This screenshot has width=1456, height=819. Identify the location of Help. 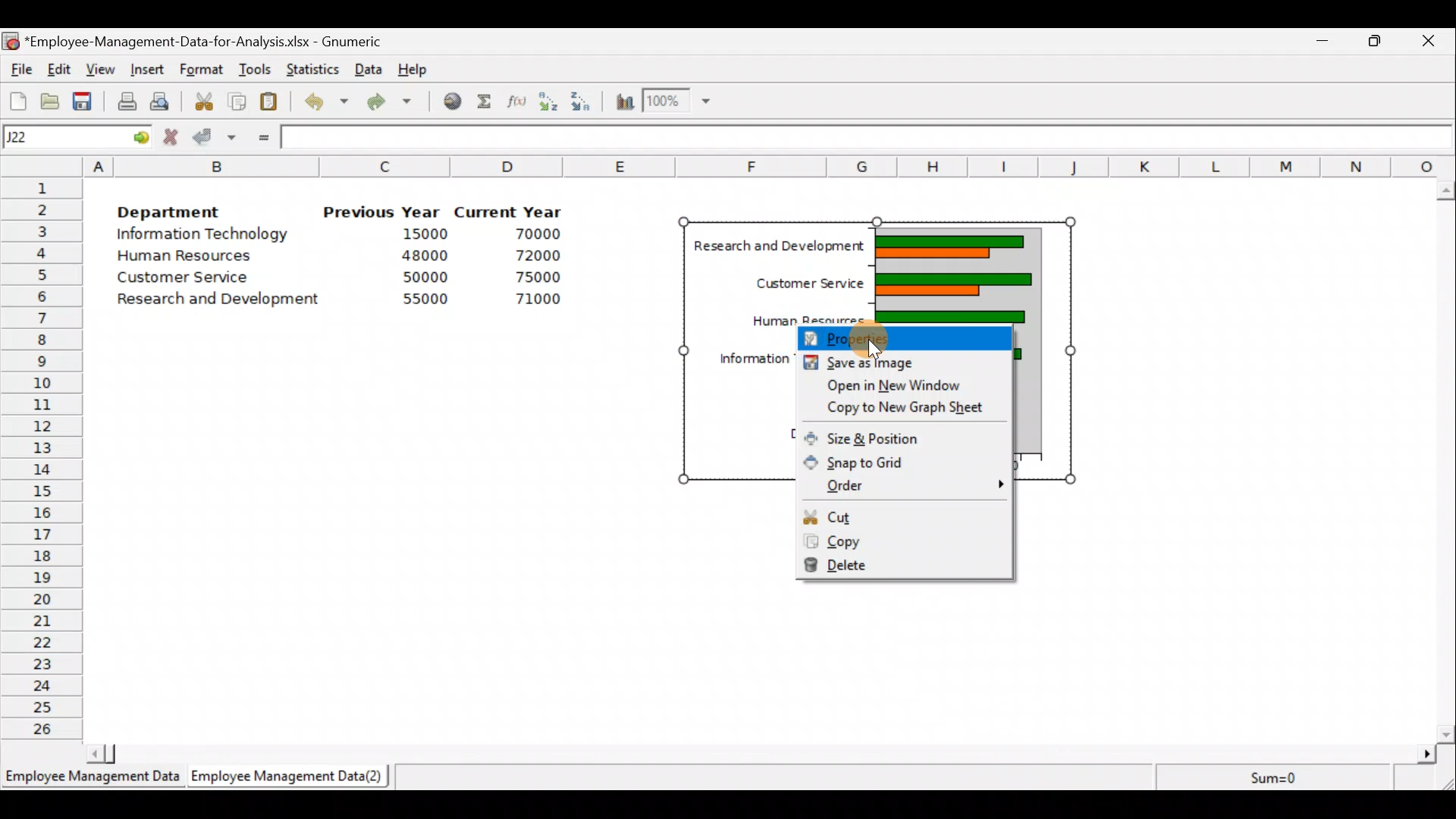
(413, 66).